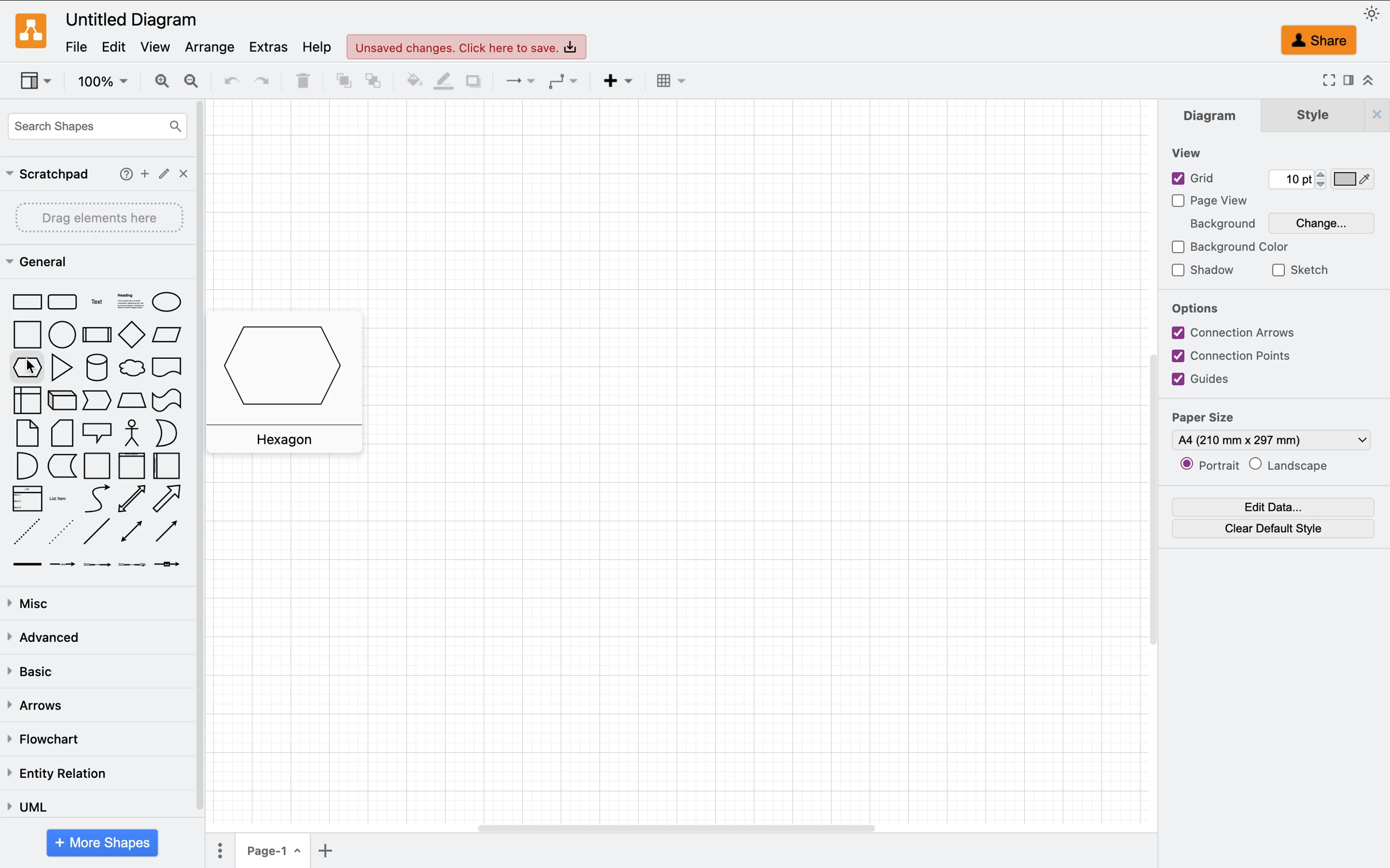  What do you see at coordinates (1229, 242) in the screenshot?
I see `background color` at bounding box center [1229, 242].